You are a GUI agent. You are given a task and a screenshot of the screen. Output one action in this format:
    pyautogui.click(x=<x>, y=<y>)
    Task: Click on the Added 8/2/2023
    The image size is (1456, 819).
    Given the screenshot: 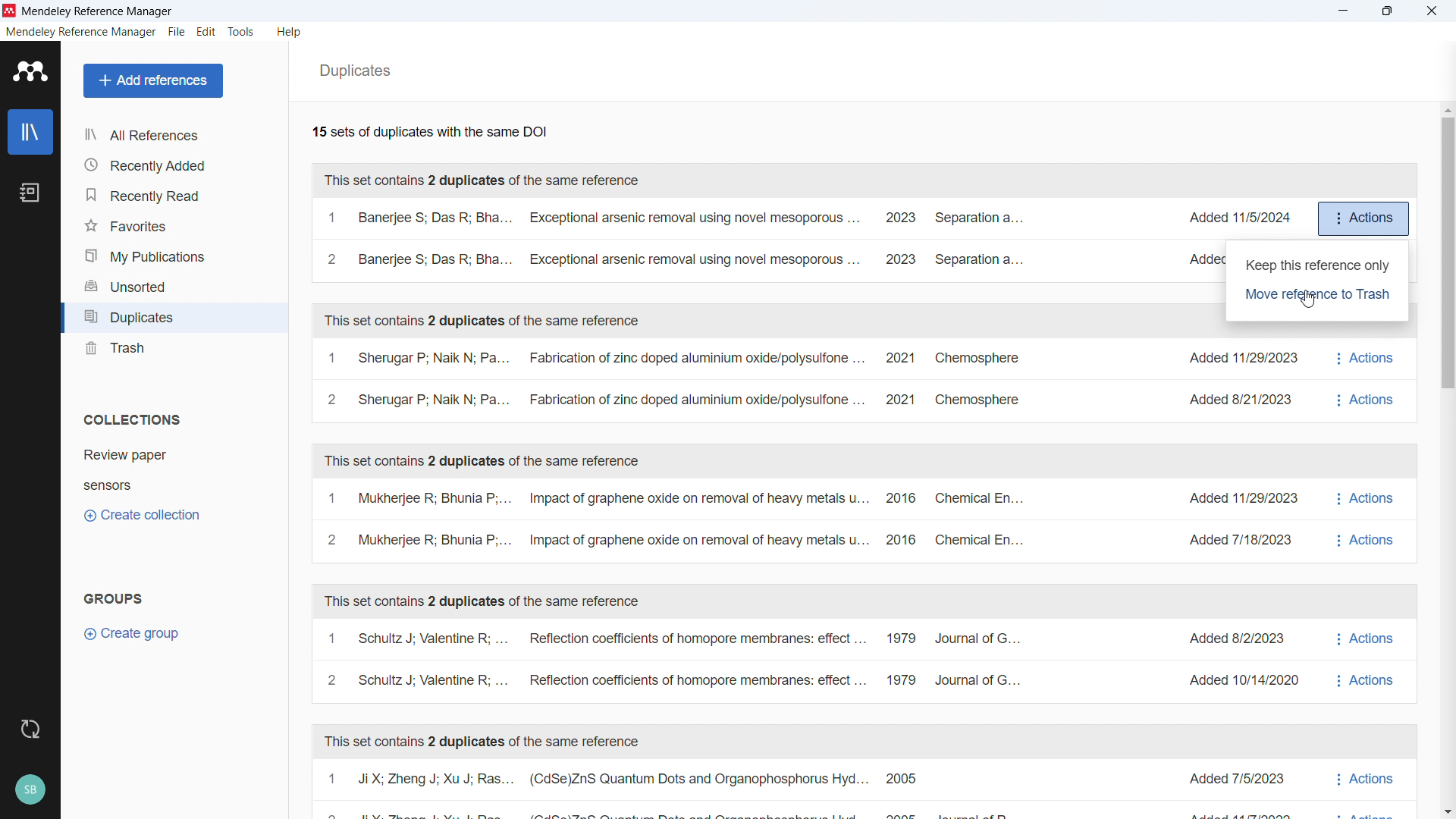 What is the action you would take?
    pyautogui.click(x=1225, y=639)
    